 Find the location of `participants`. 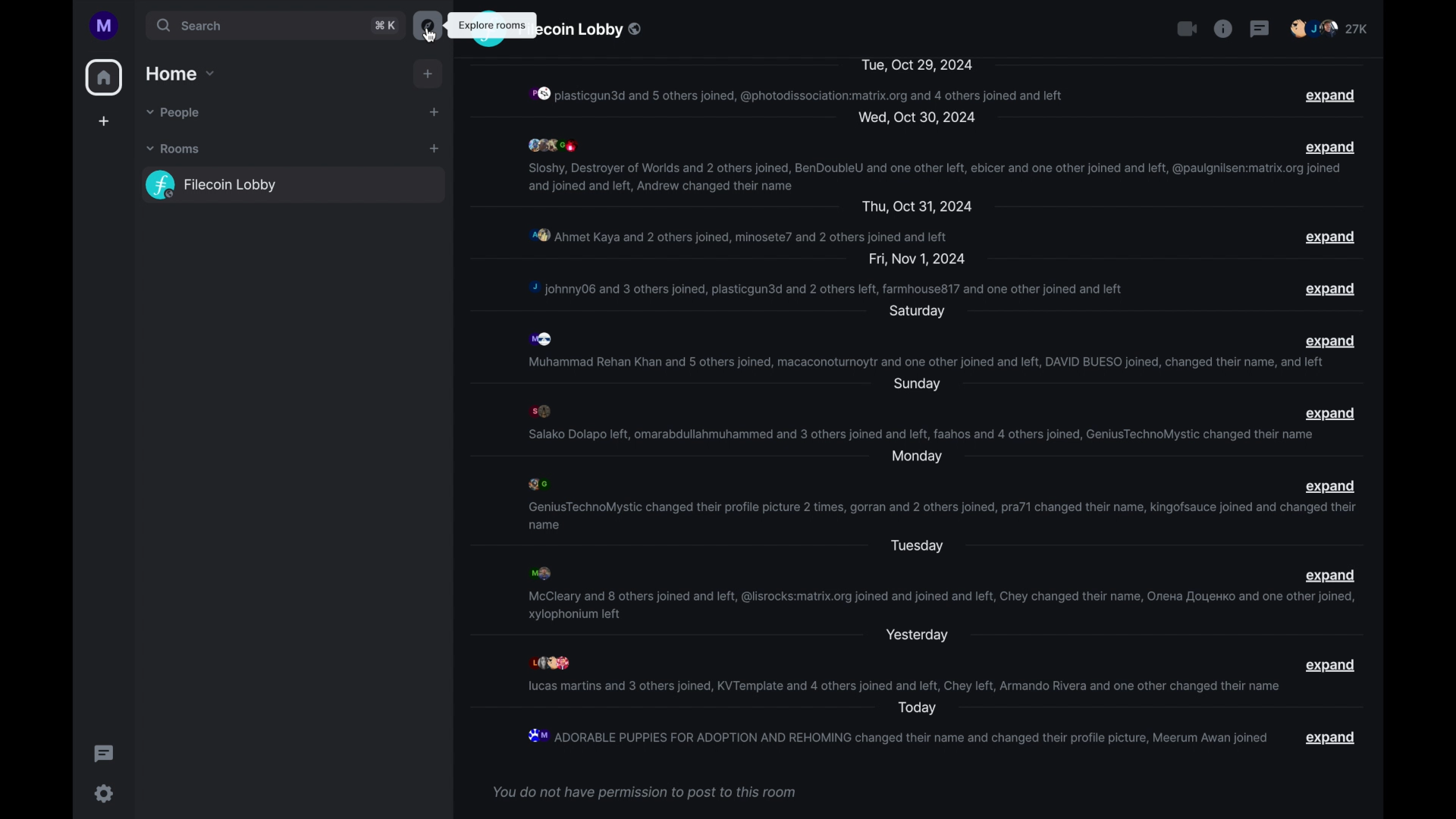

participants is located at coordinates (1329, 28).